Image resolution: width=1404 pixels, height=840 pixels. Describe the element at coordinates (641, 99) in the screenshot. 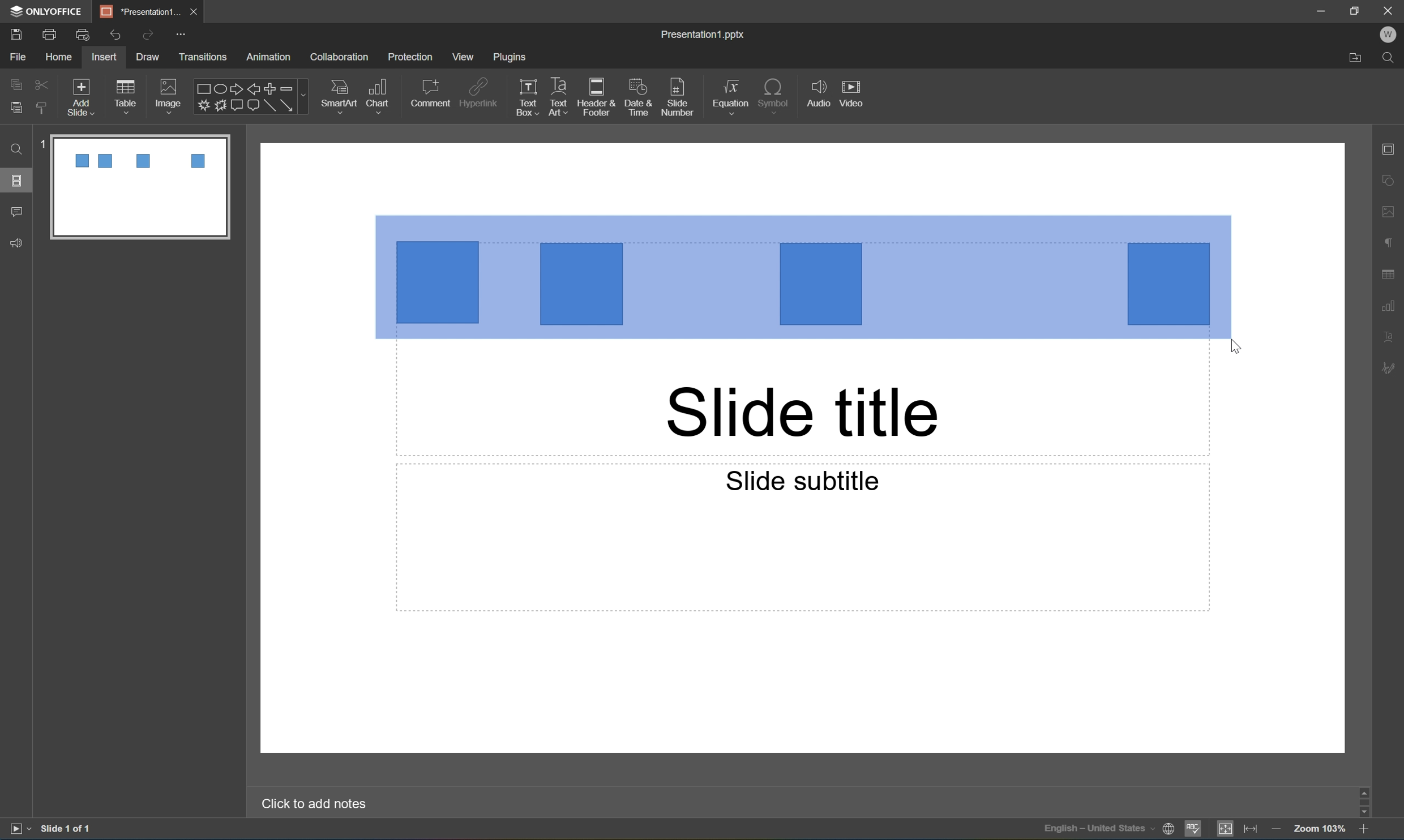

I see `date & time` at that location.